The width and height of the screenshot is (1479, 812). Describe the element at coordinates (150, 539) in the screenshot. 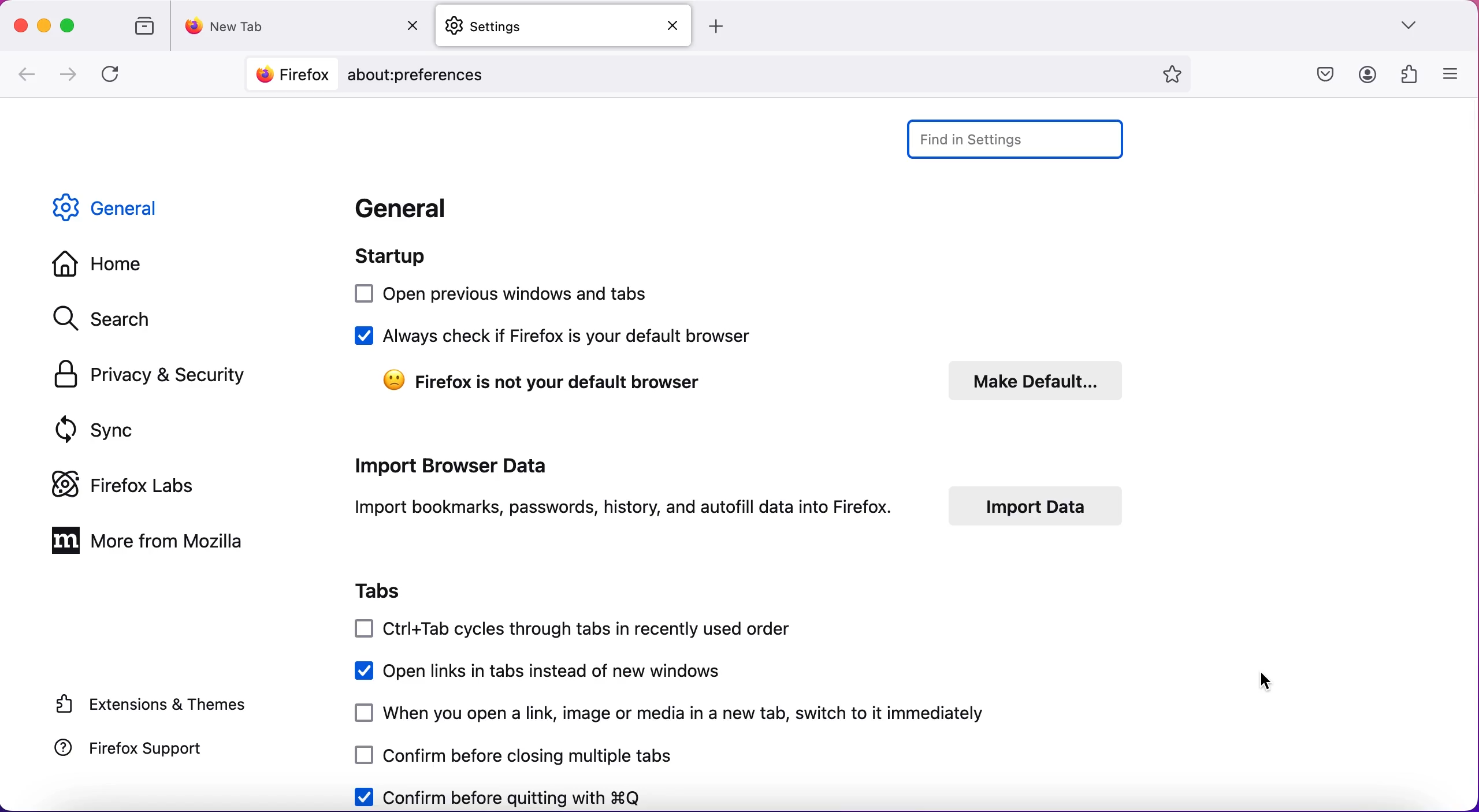

I see `more from mozilla` at that location.